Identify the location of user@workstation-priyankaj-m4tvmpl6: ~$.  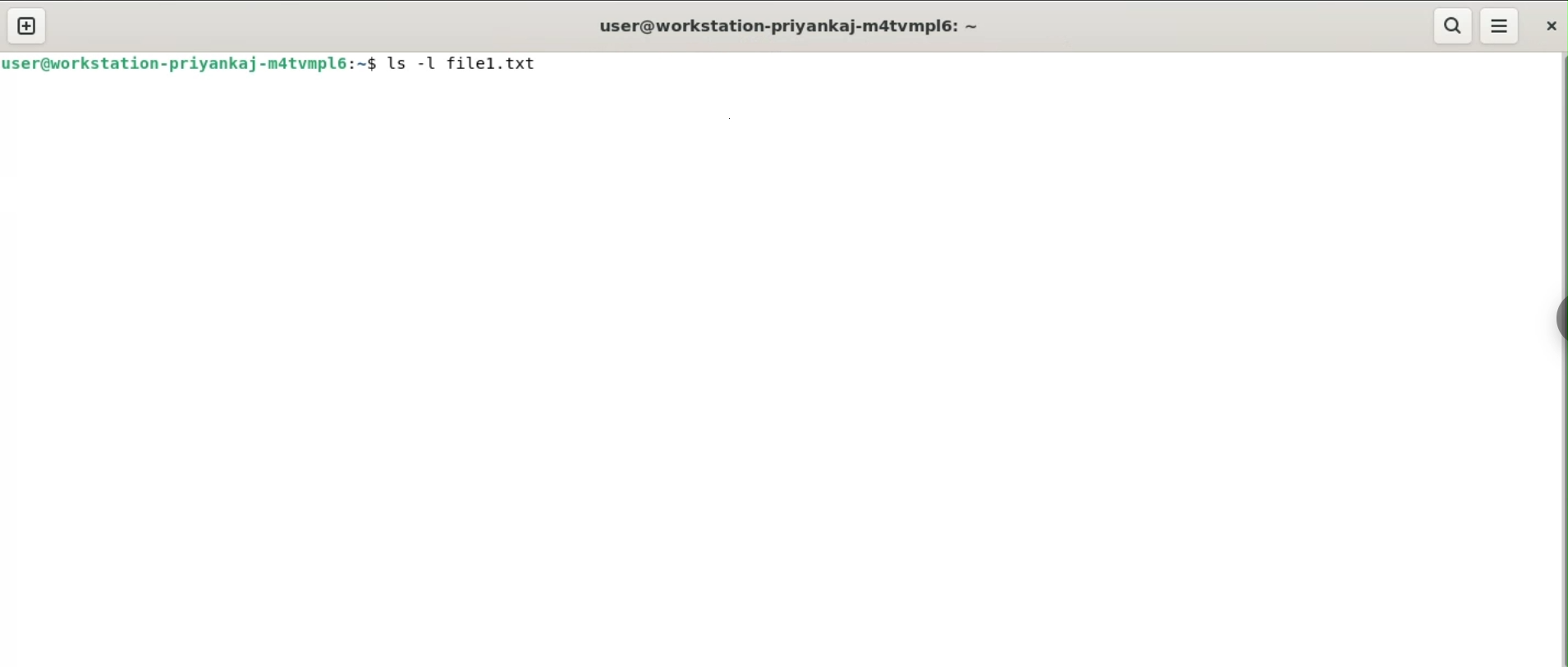
(190, 62).